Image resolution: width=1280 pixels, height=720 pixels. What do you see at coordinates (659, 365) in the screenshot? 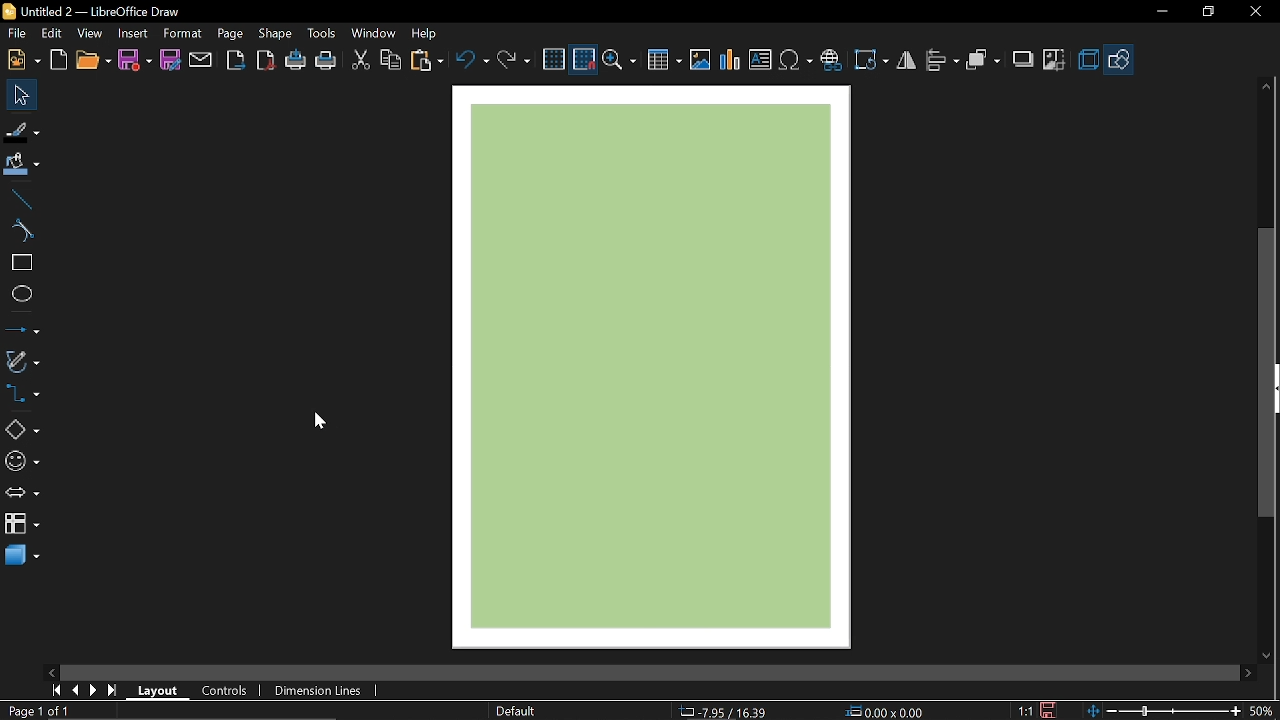
I see `Light green background added` at bounding box center [659, 365].